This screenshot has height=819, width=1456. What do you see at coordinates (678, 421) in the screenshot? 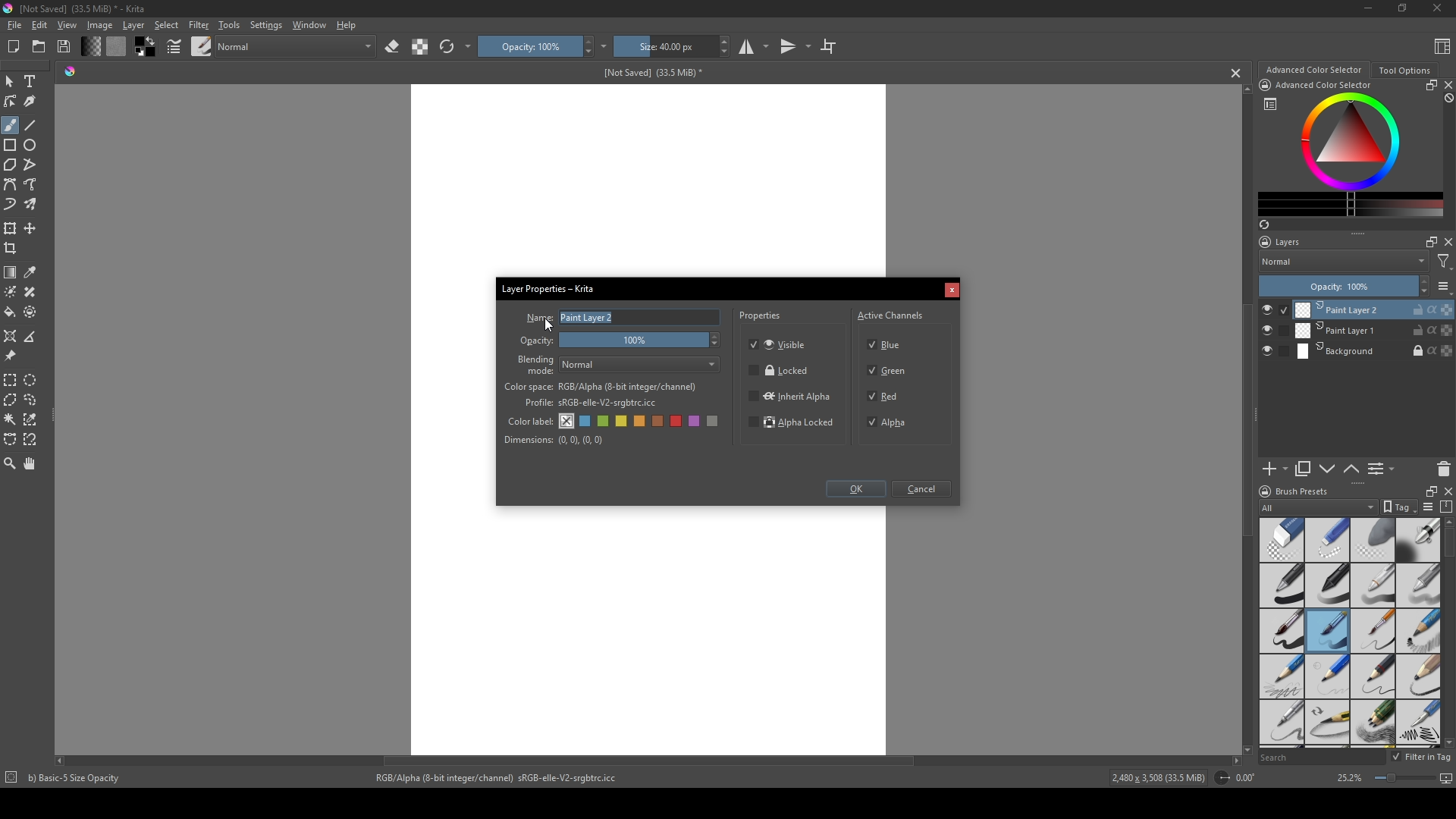
I see `red` at bounding box center [678, 421].